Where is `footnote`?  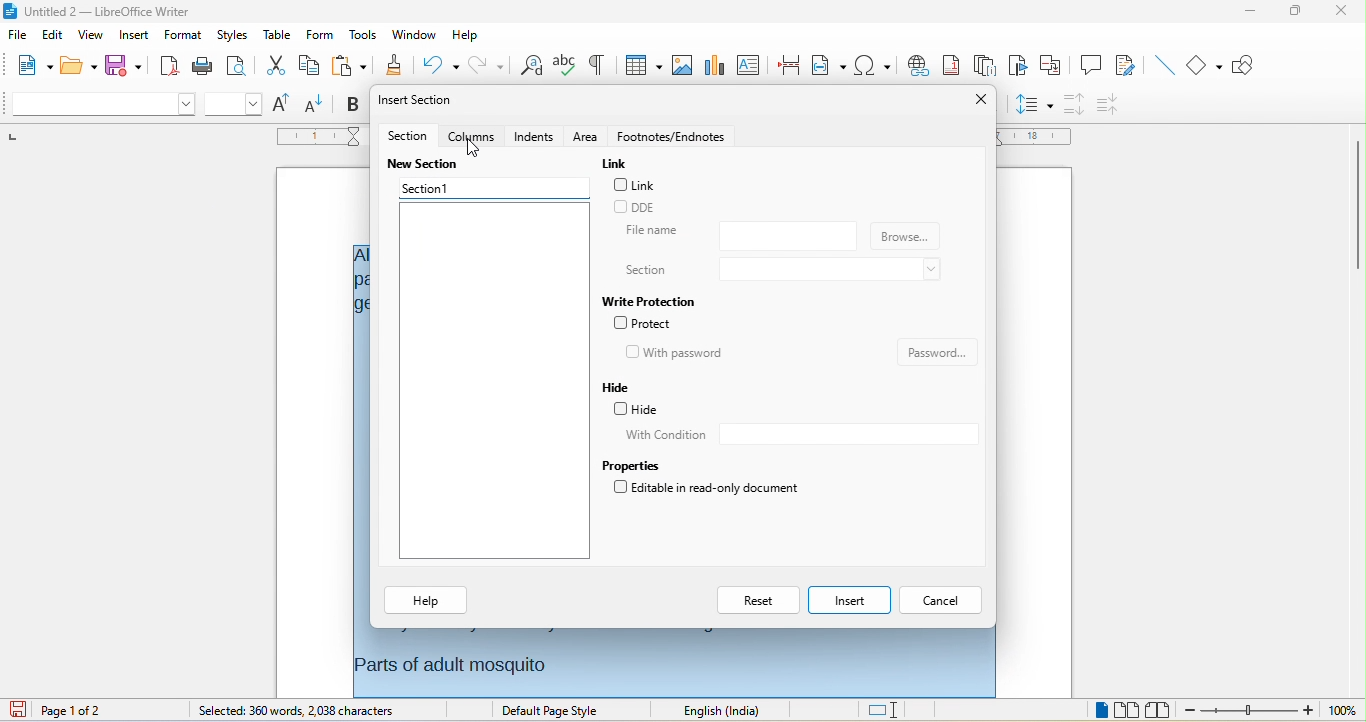
footnote is located at coordinates (954, 67).